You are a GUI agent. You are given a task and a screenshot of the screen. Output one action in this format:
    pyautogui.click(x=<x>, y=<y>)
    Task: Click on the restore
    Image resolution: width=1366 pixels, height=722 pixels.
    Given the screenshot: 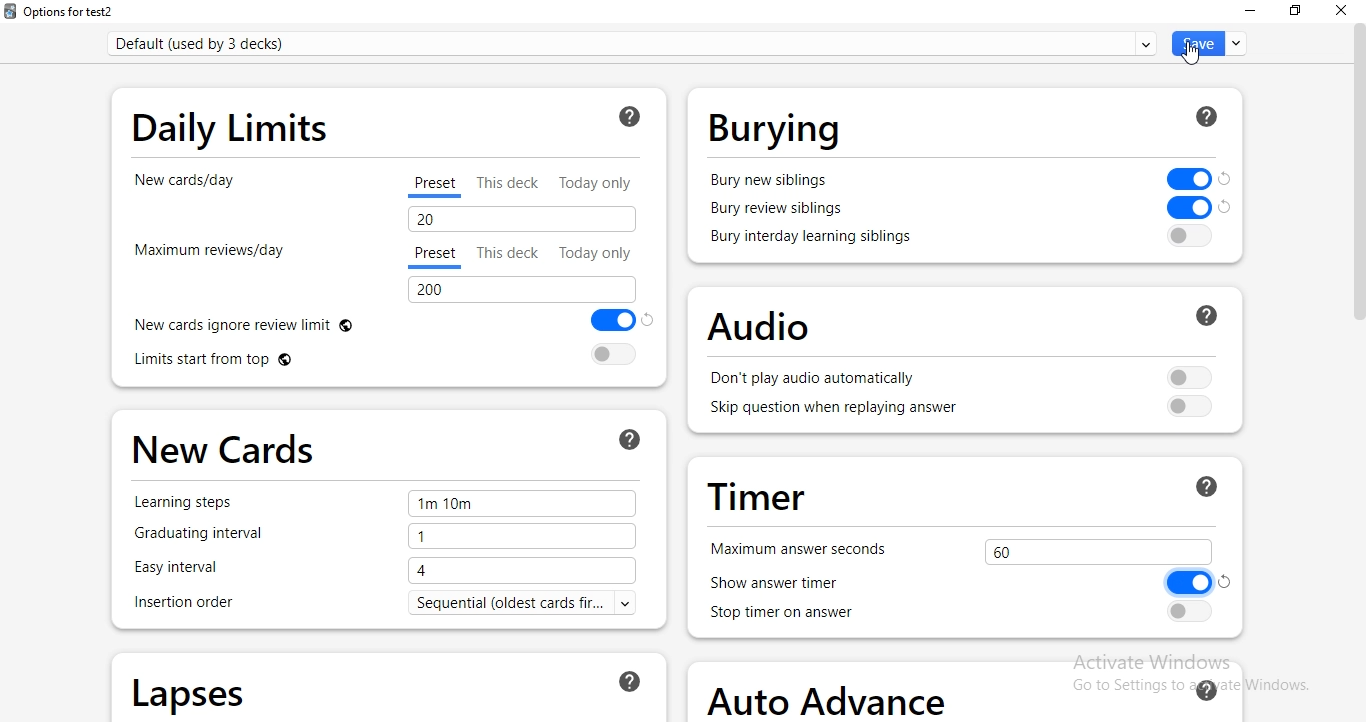 What is the action you would take?
    pyautogui.click(x=1296, y=13)
    